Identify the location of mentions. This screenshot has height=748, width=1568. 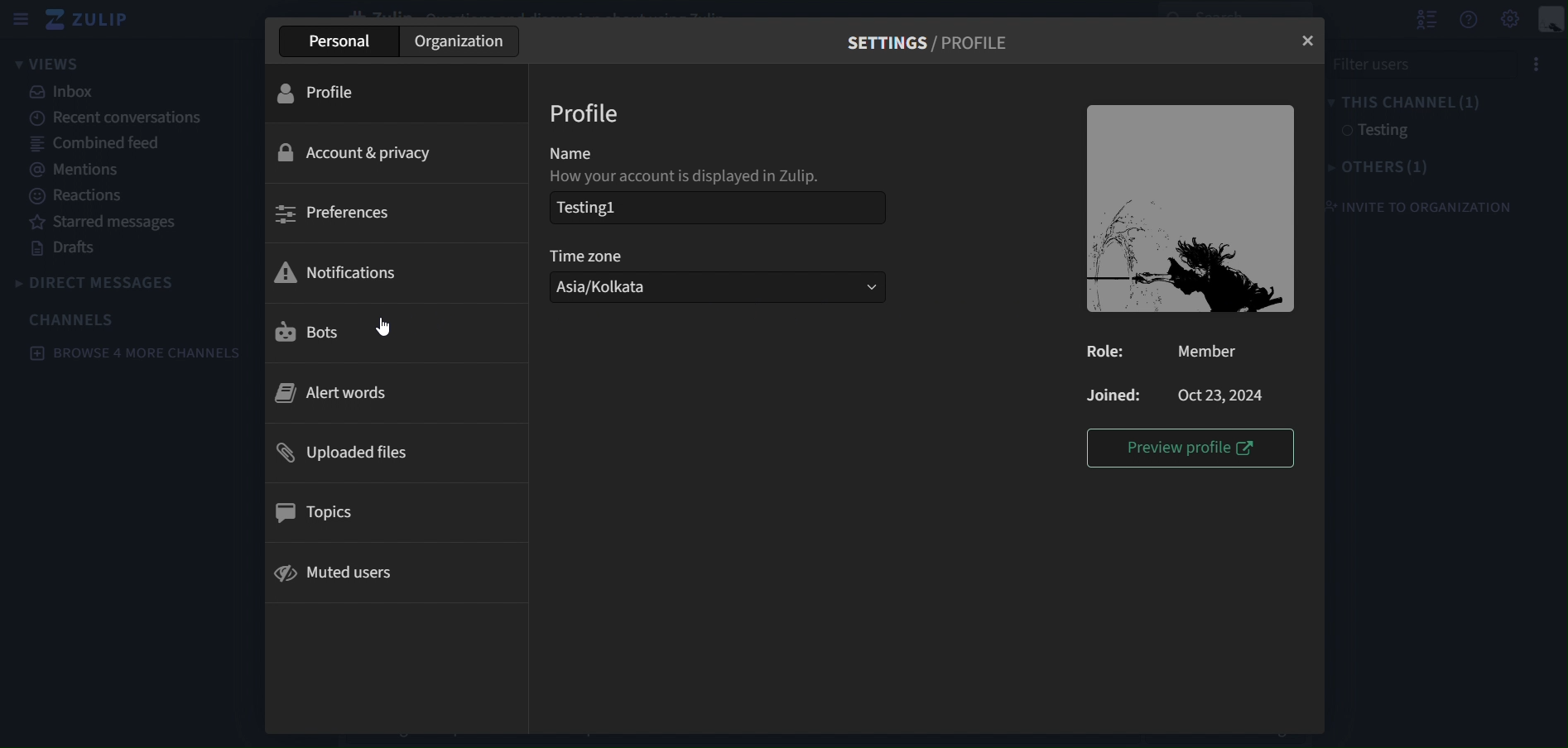
(73, 170).